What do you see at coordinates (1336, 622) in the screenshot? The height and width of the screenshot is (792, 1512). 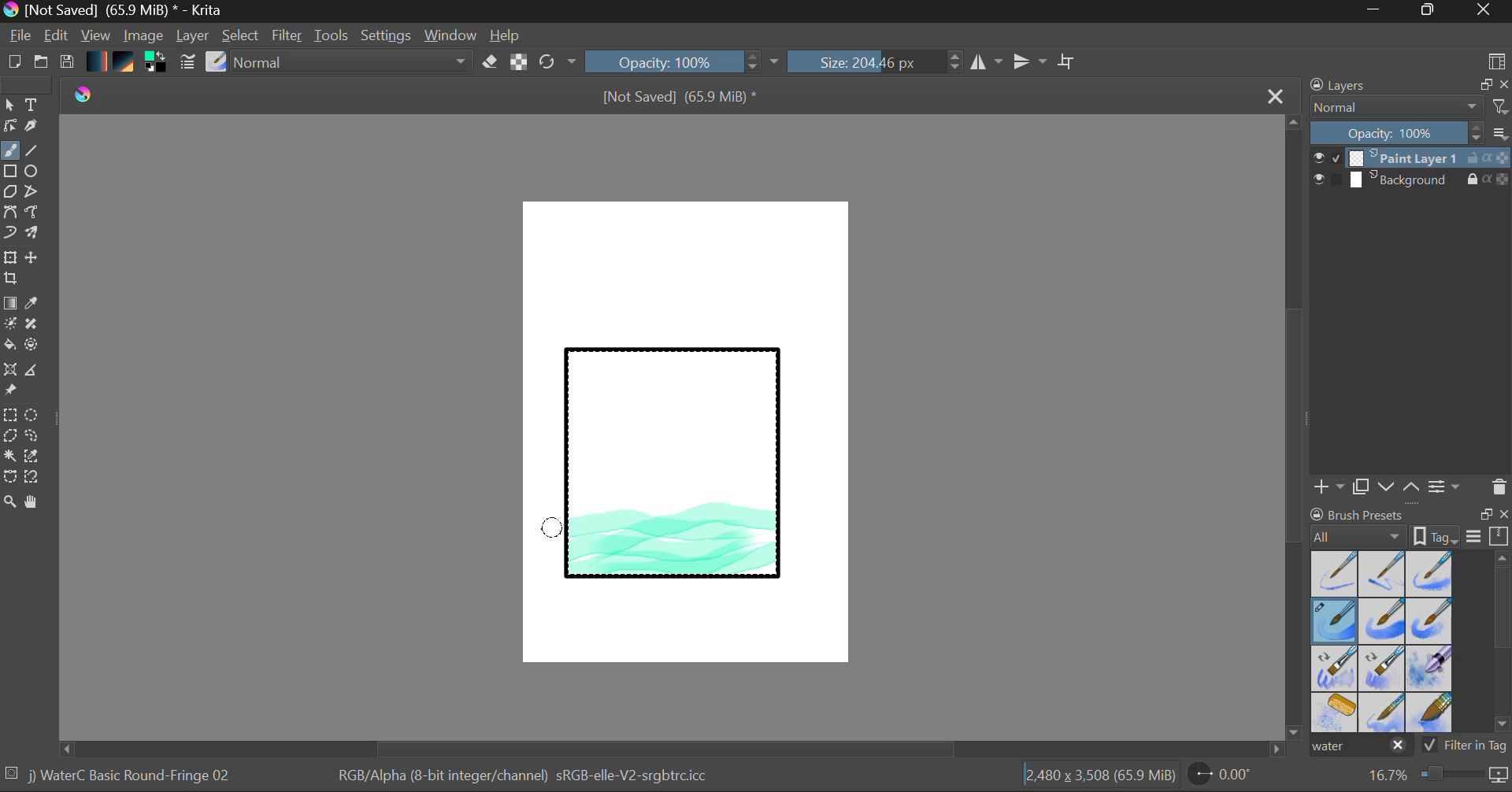 I see `Brush Selected` at bounding box center [1336, 622].